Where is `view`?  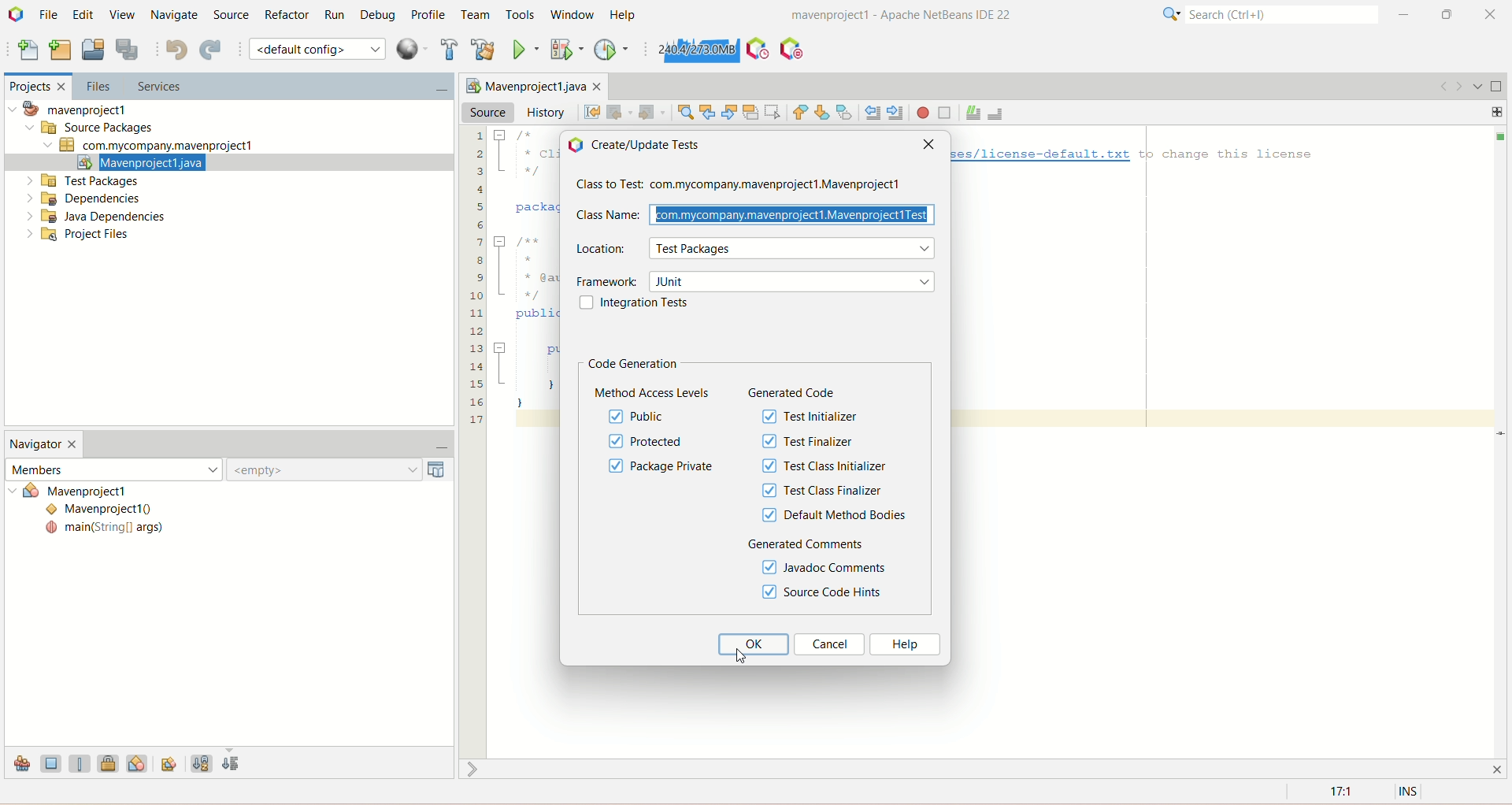
view is located at coordinates (119, 13).